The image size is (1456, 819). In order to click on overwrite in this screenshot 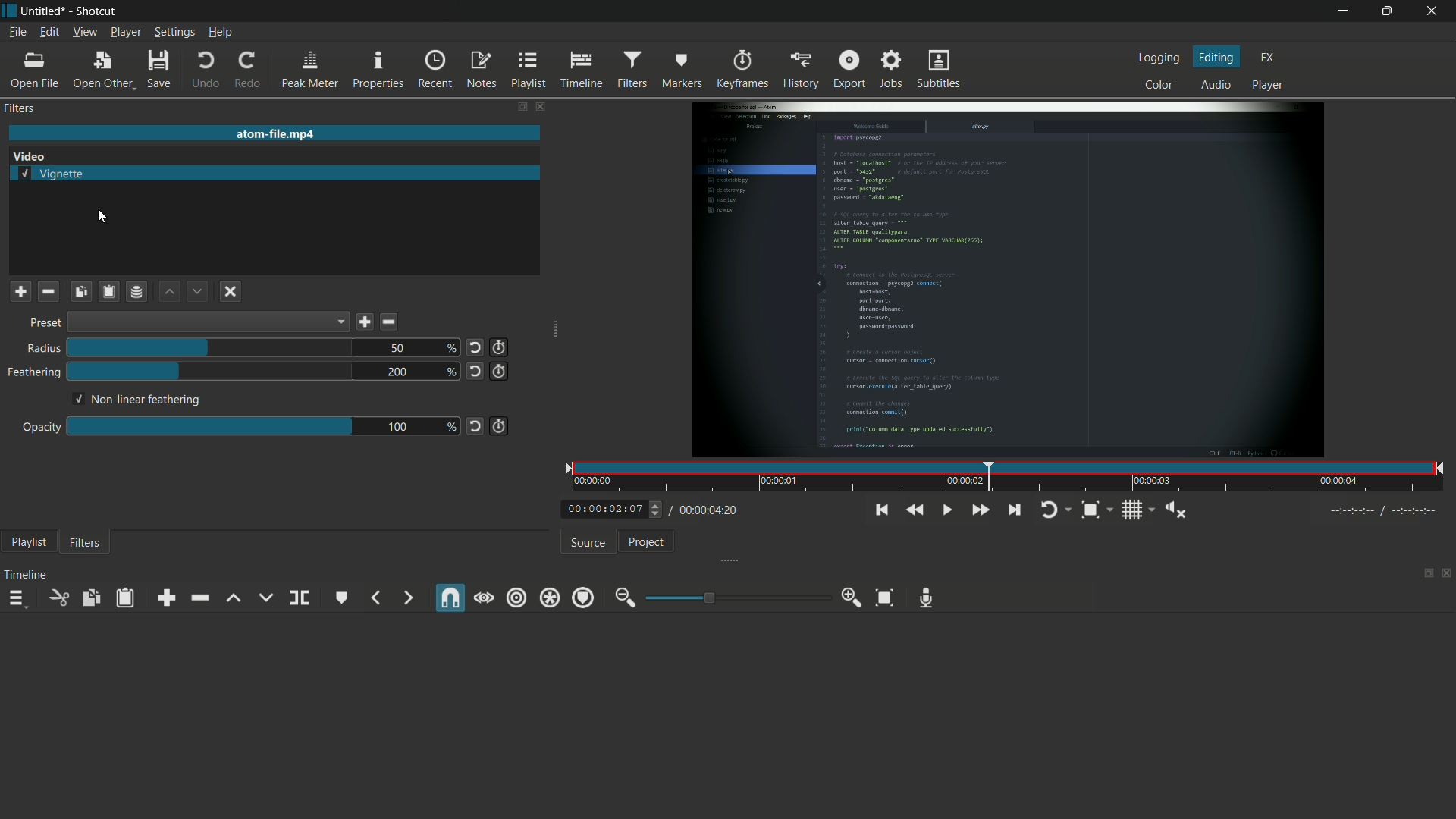, I will do `click(265, 597)`.